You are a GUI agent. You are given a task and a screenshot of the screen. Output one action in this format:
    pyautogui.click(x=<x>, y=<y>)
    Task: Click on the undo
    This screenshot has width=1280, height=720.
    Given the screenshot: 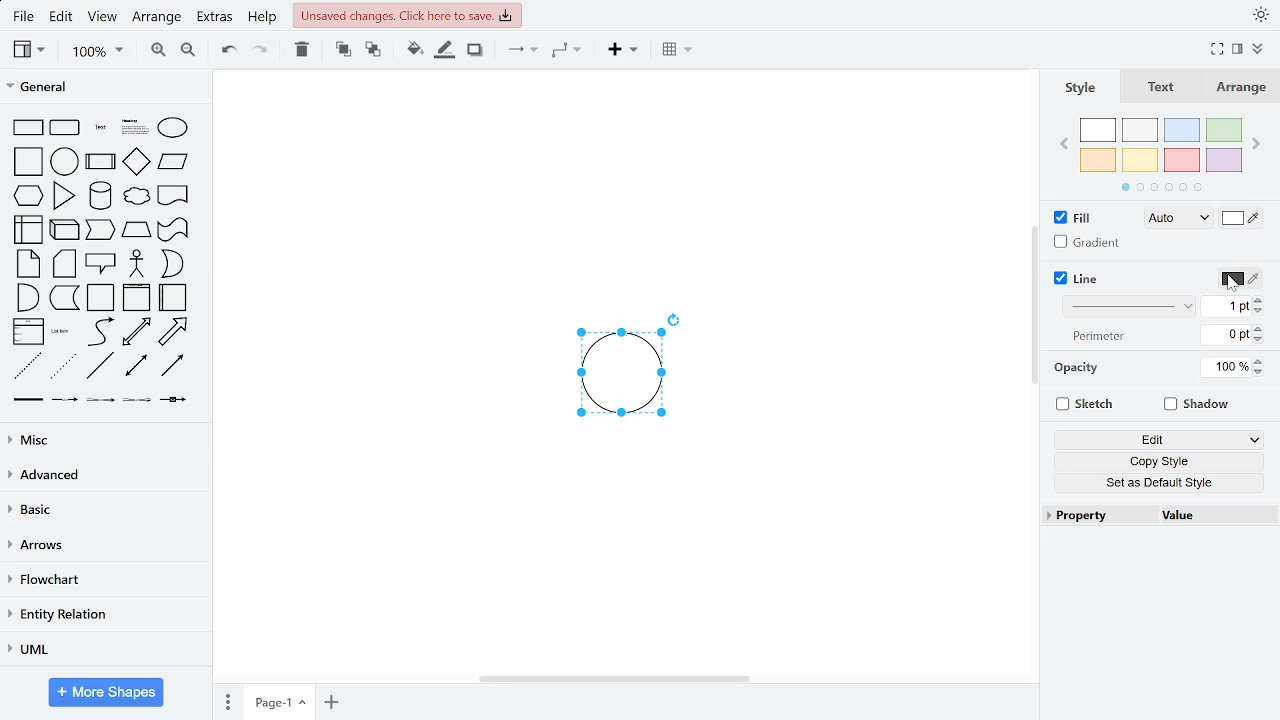 What is the action you would take?
    pyautogui.click(x=226, y=52)
    